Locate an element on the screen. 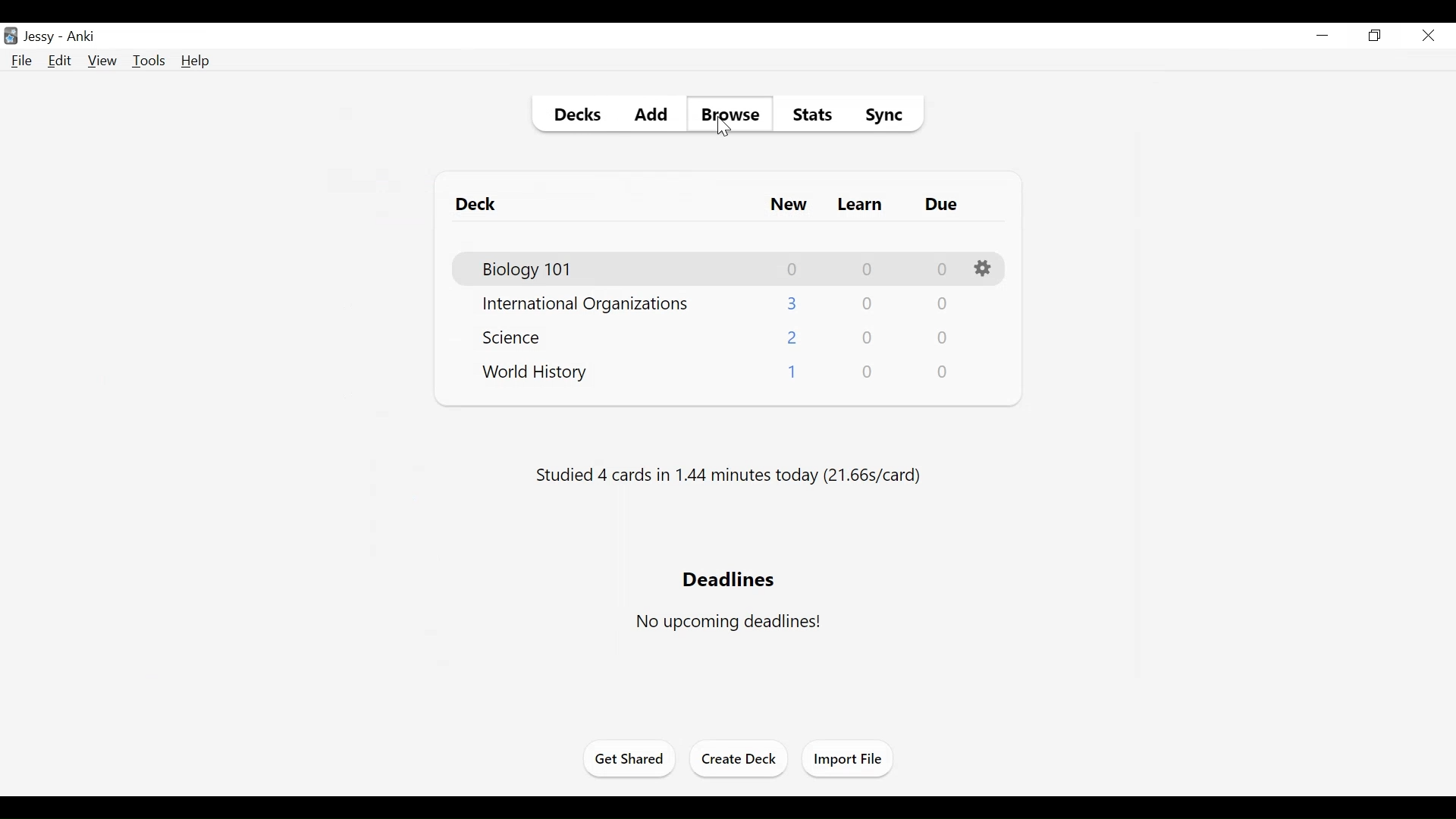 This screenshot has height=819, width=1456. Deck Name Count is located at coordinates (518, 338).